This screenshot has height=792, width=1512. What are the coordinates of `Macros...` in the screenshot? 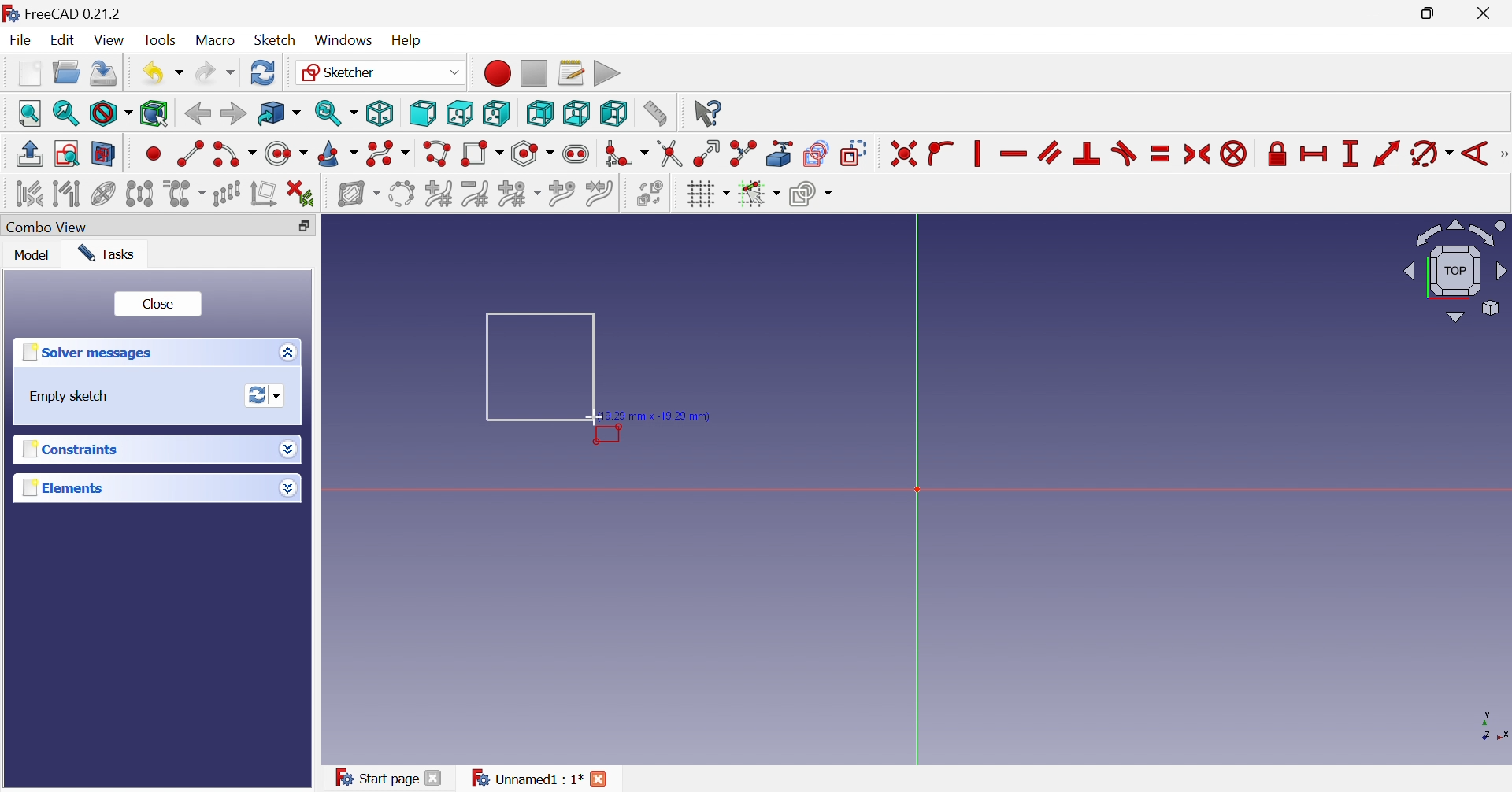 It's located at (571, 72).